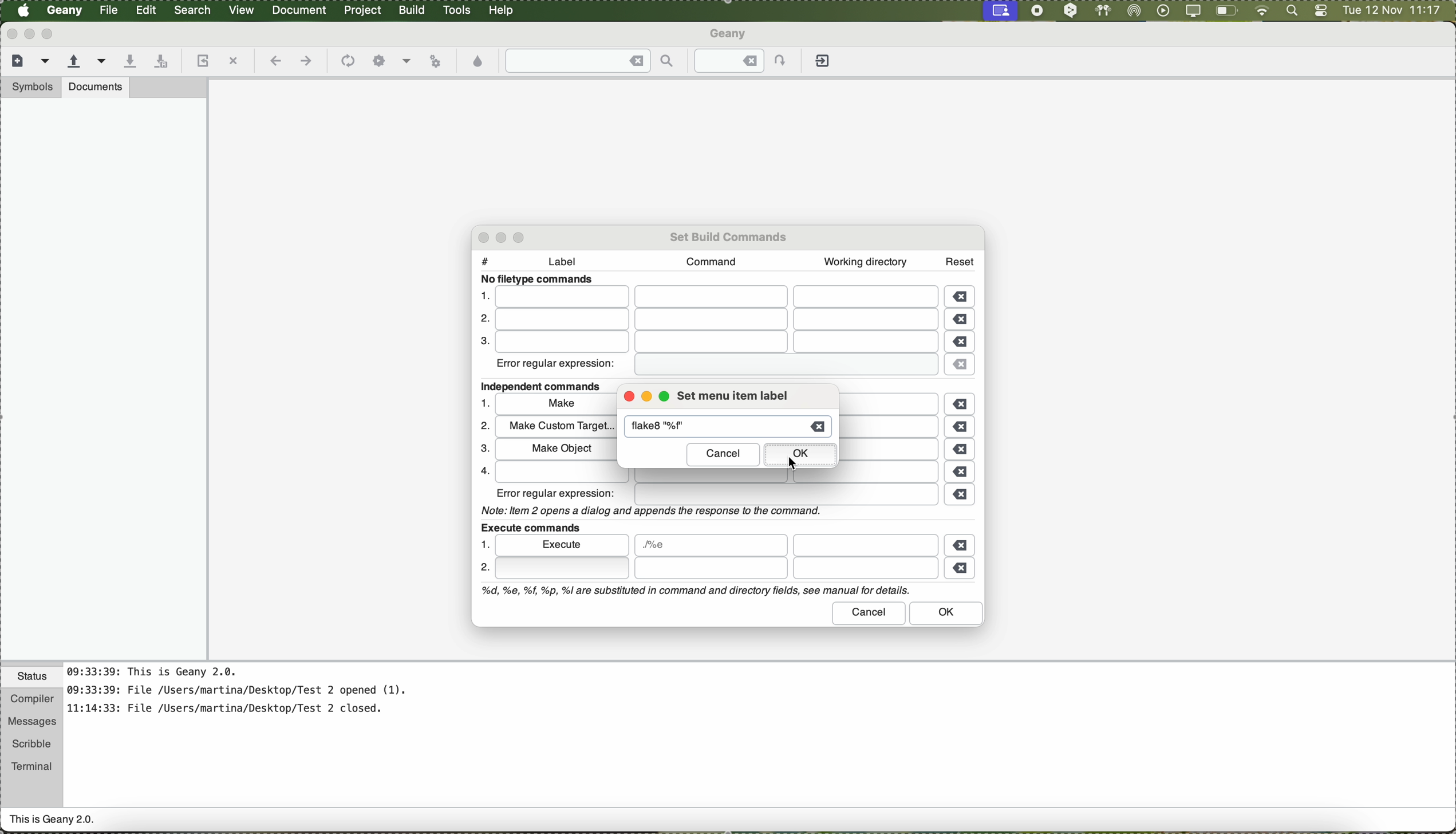  What do you see at coordinates (299, 9) in the screenshot?
I see `document` at bounding box center [299, 9].